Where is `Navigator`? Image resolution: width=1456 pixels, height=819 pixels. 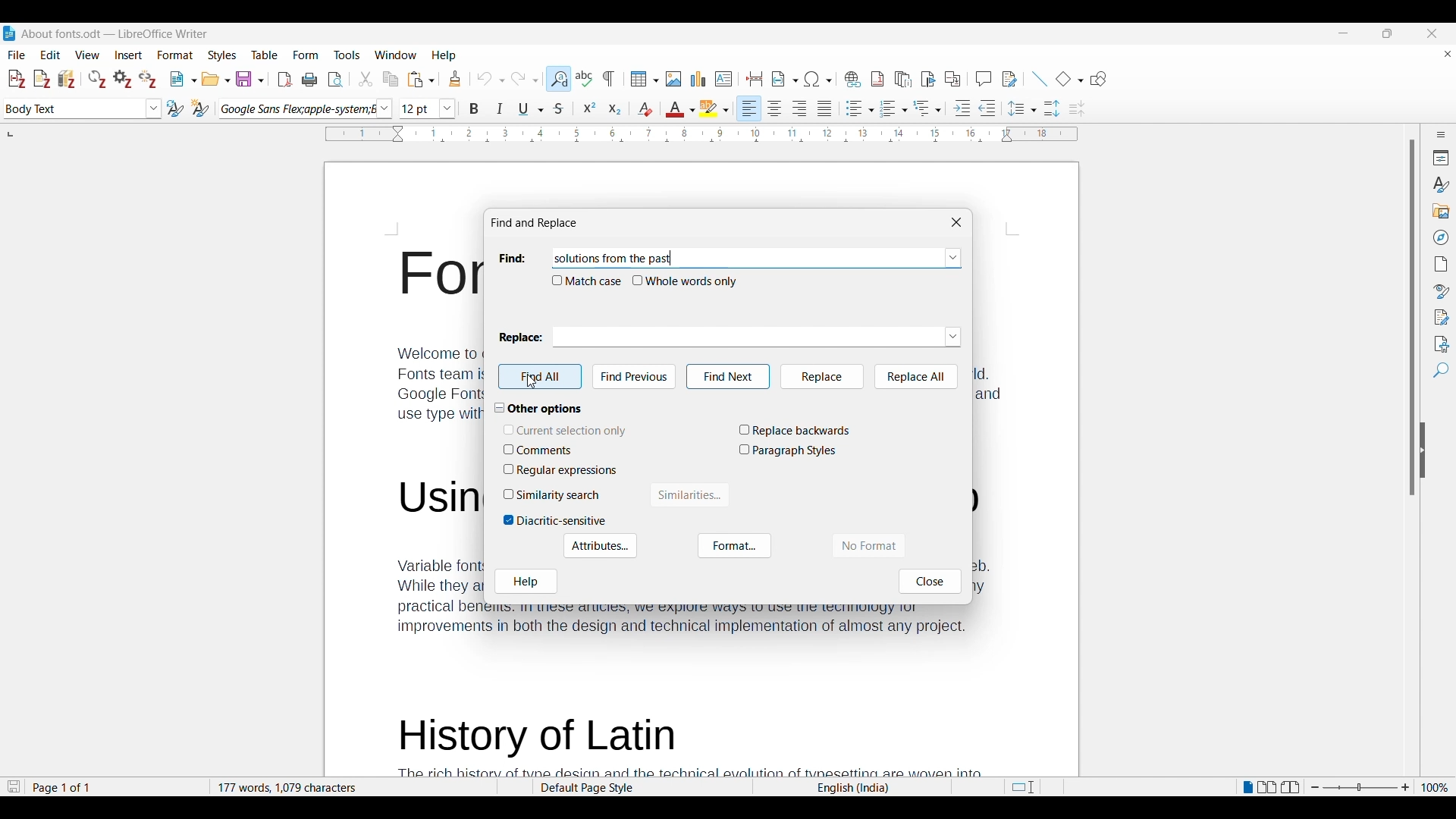 Navigator is located at coordinates (1440, 237).